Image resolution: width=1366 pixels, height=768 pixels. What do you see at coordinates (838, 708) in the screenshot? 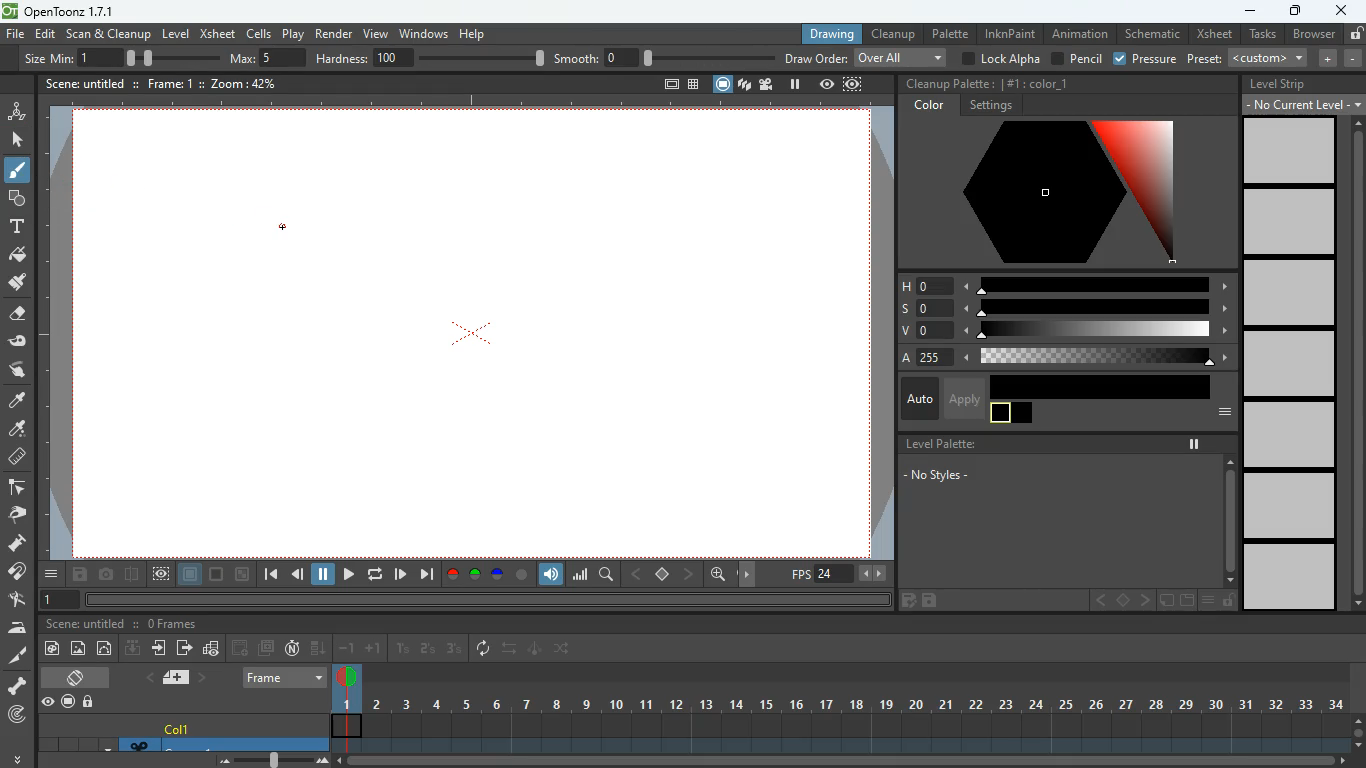
I see `frames` at bounding box center [838, 708].